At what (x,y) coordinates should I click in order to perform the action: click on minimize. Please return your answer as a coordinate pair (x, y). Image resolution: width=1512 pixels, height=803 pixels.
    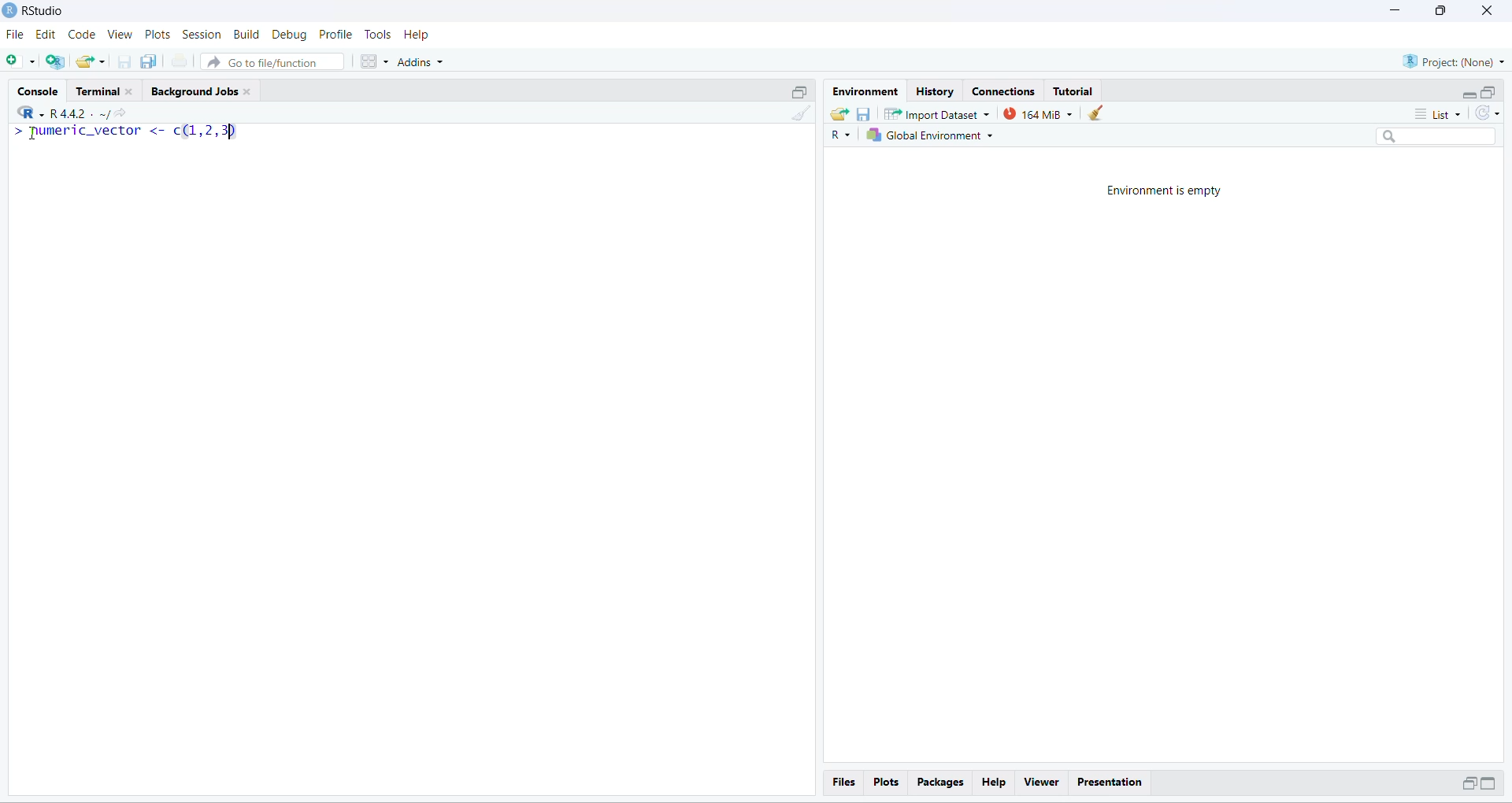
    Looking at the image, I should click on (1466, 783).